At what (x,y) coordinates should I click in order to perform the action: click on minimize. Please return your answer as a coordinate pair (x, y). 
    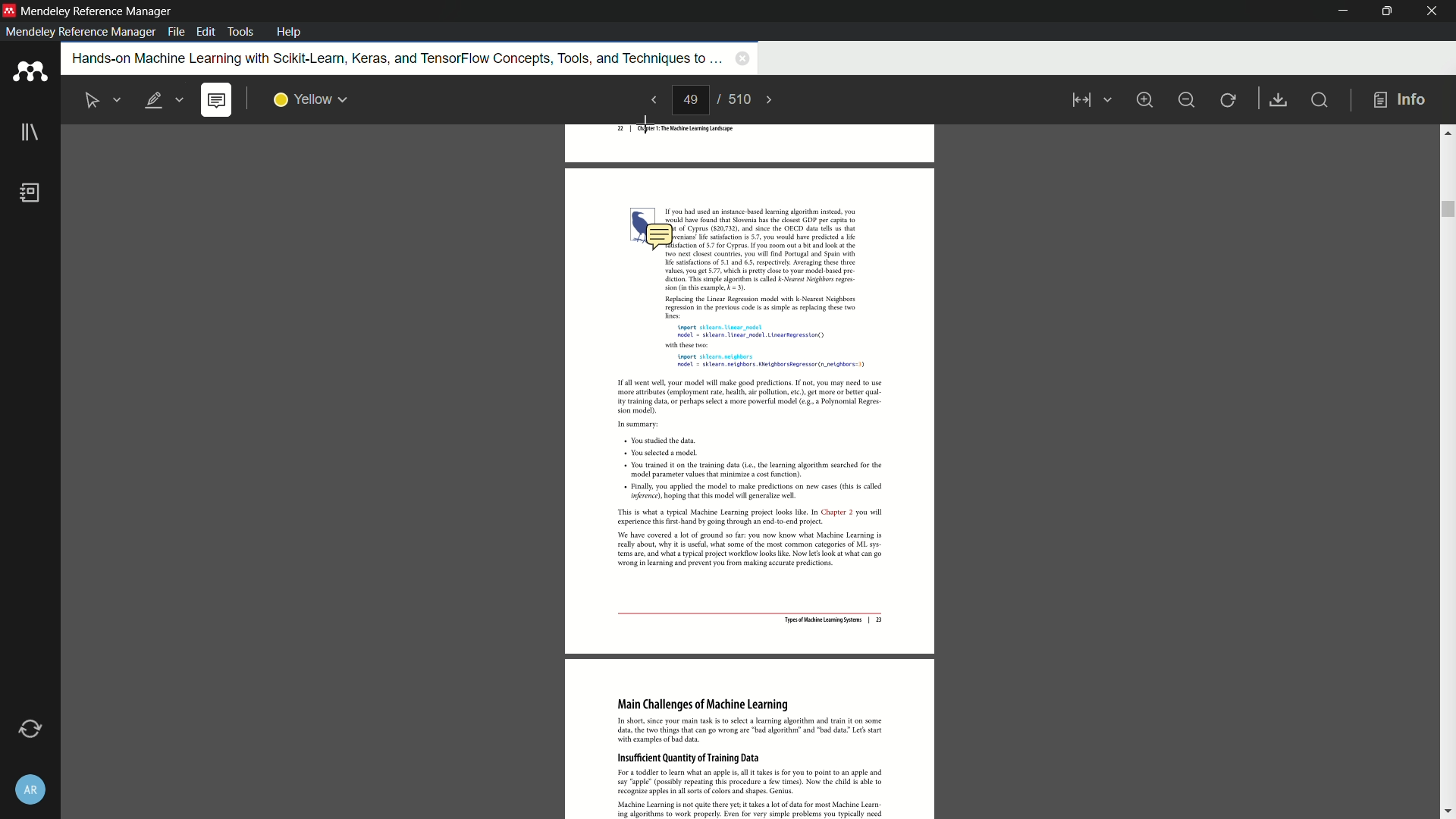
    Looking at the image, I should click on (1337, 11).